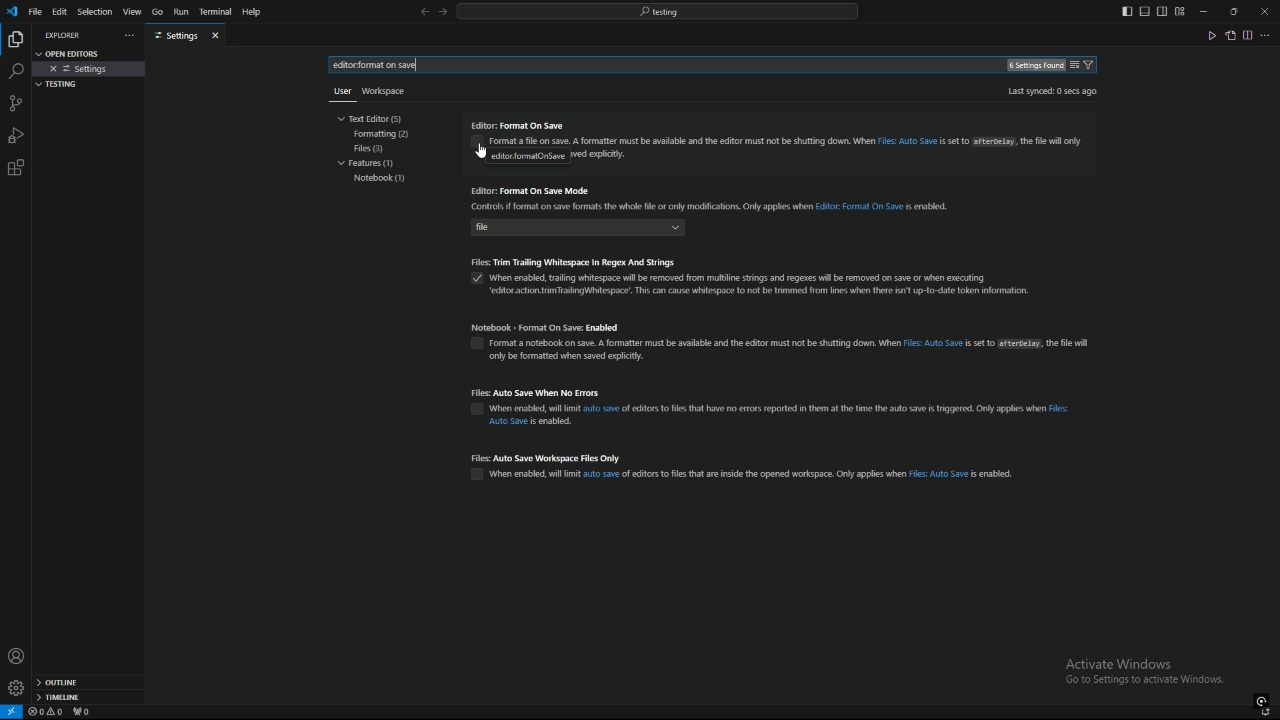  What do you see at coordinates (90, 69) in the screenshot?
I see `settings` at bounding box center [90, 69].